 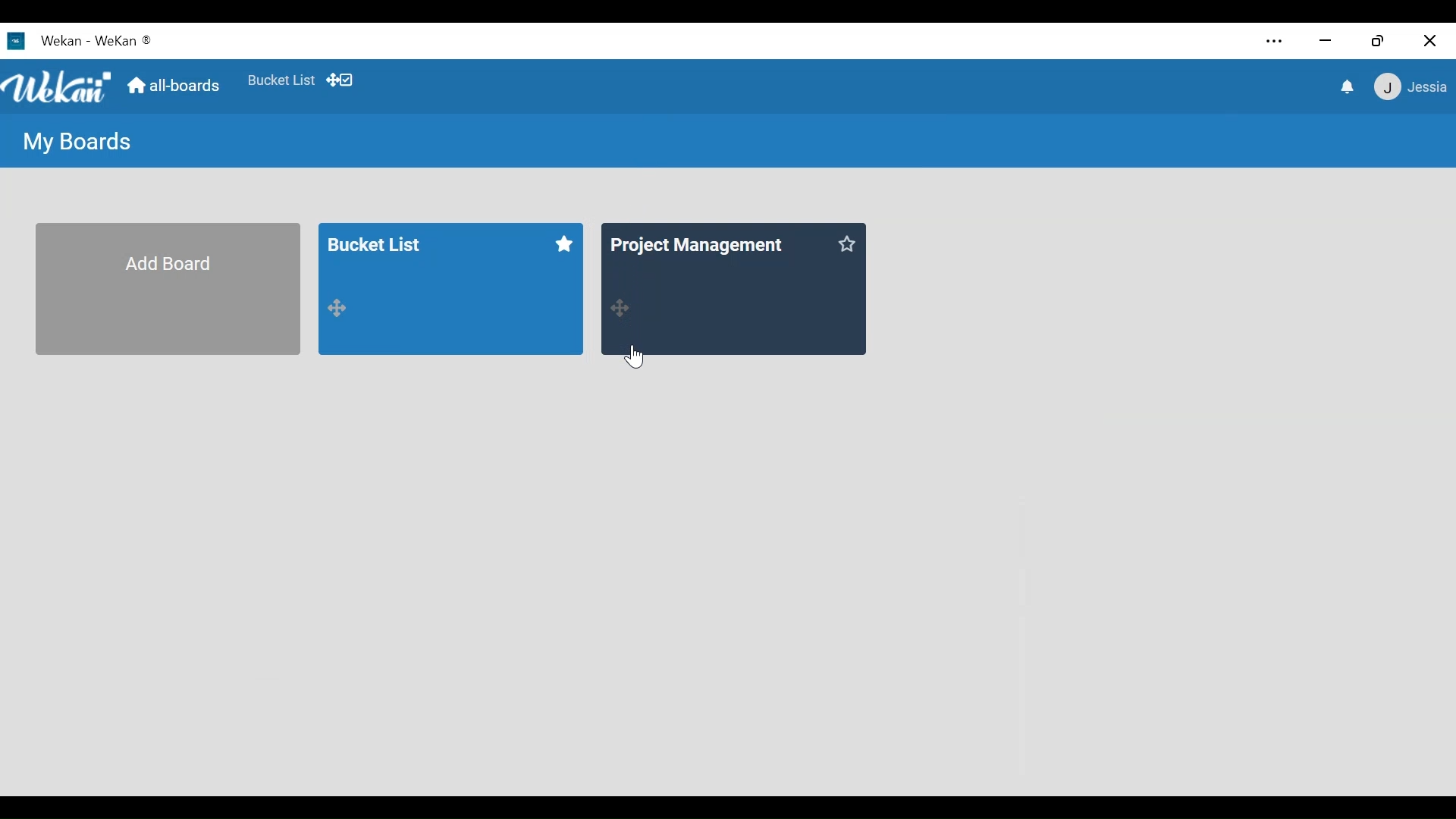 I want to click on star, so click(x=560, y=243).